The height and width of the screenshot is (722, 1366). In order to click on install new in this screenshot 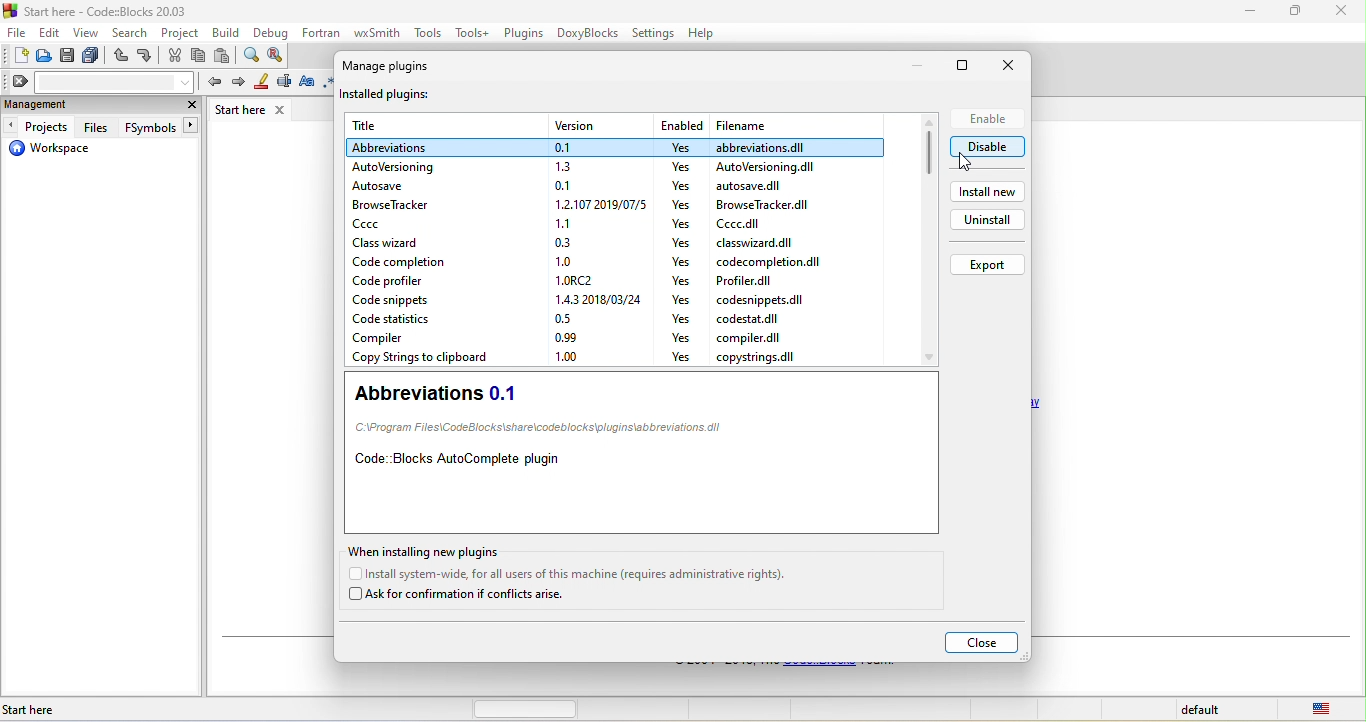, I will do `click(985, 190)`.